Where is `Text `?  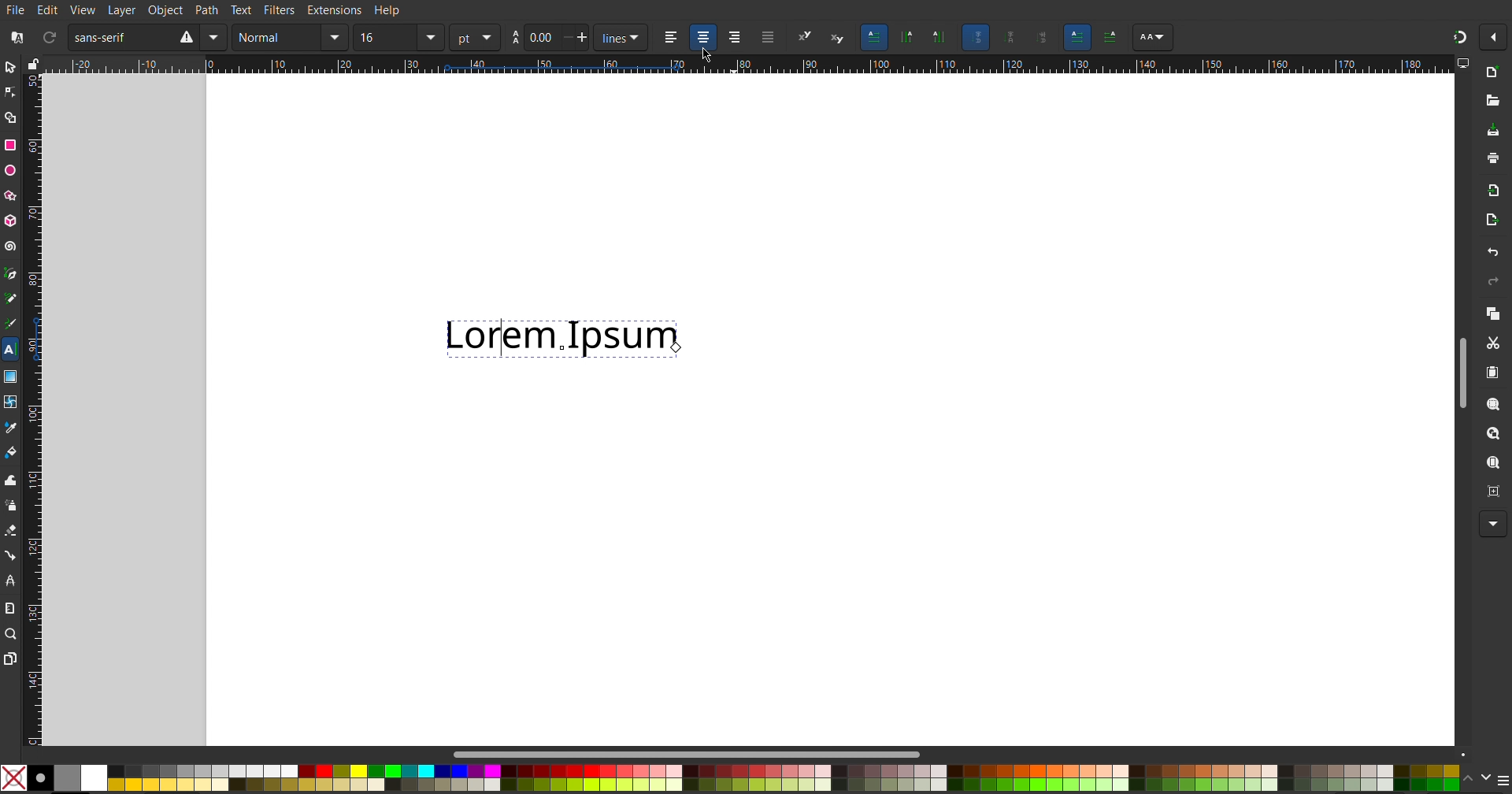
Text  is located at coordinates (243, 11).